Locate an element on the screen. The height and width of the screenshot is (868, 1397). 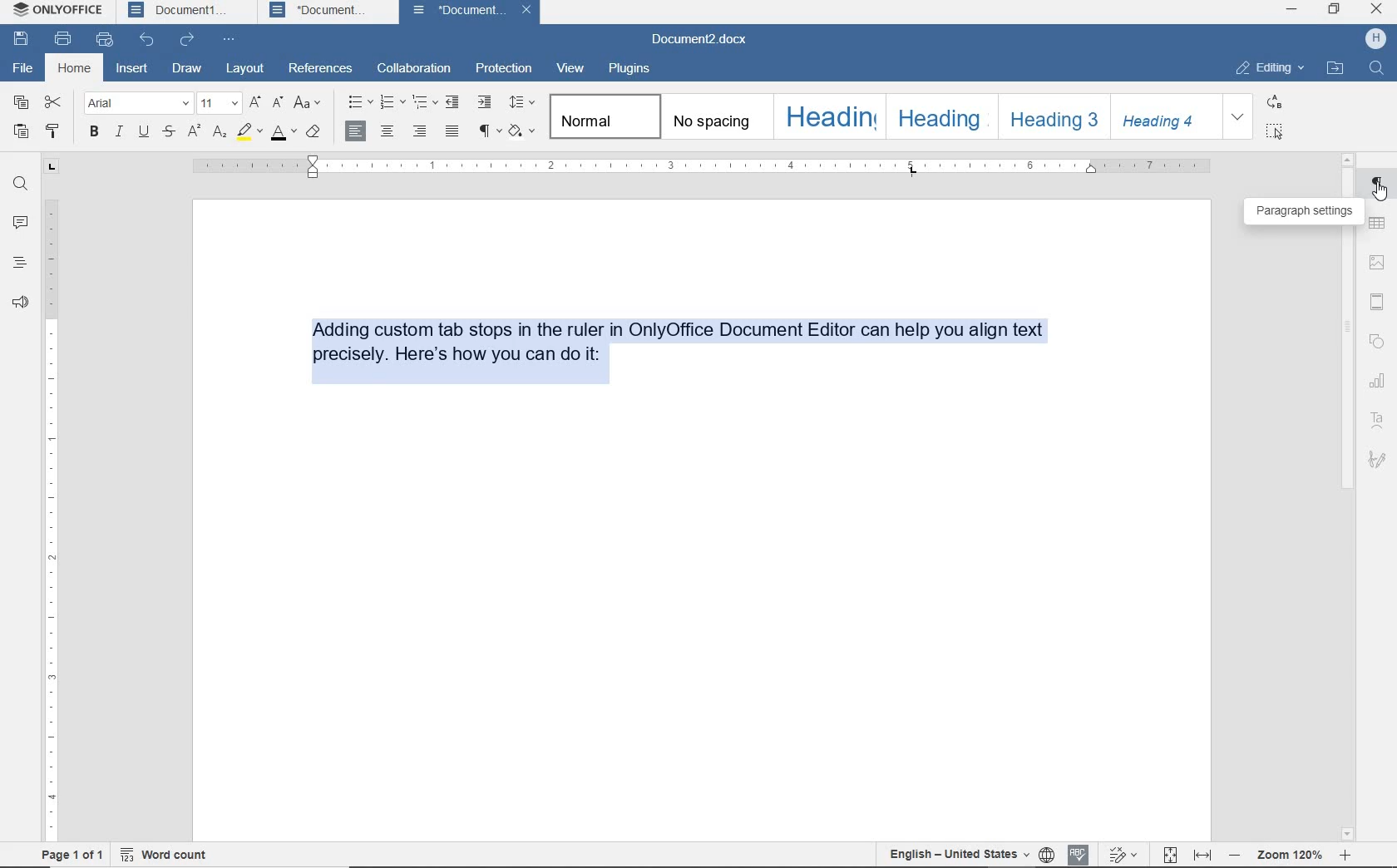
cursor is located at coordinates (1379, 194).